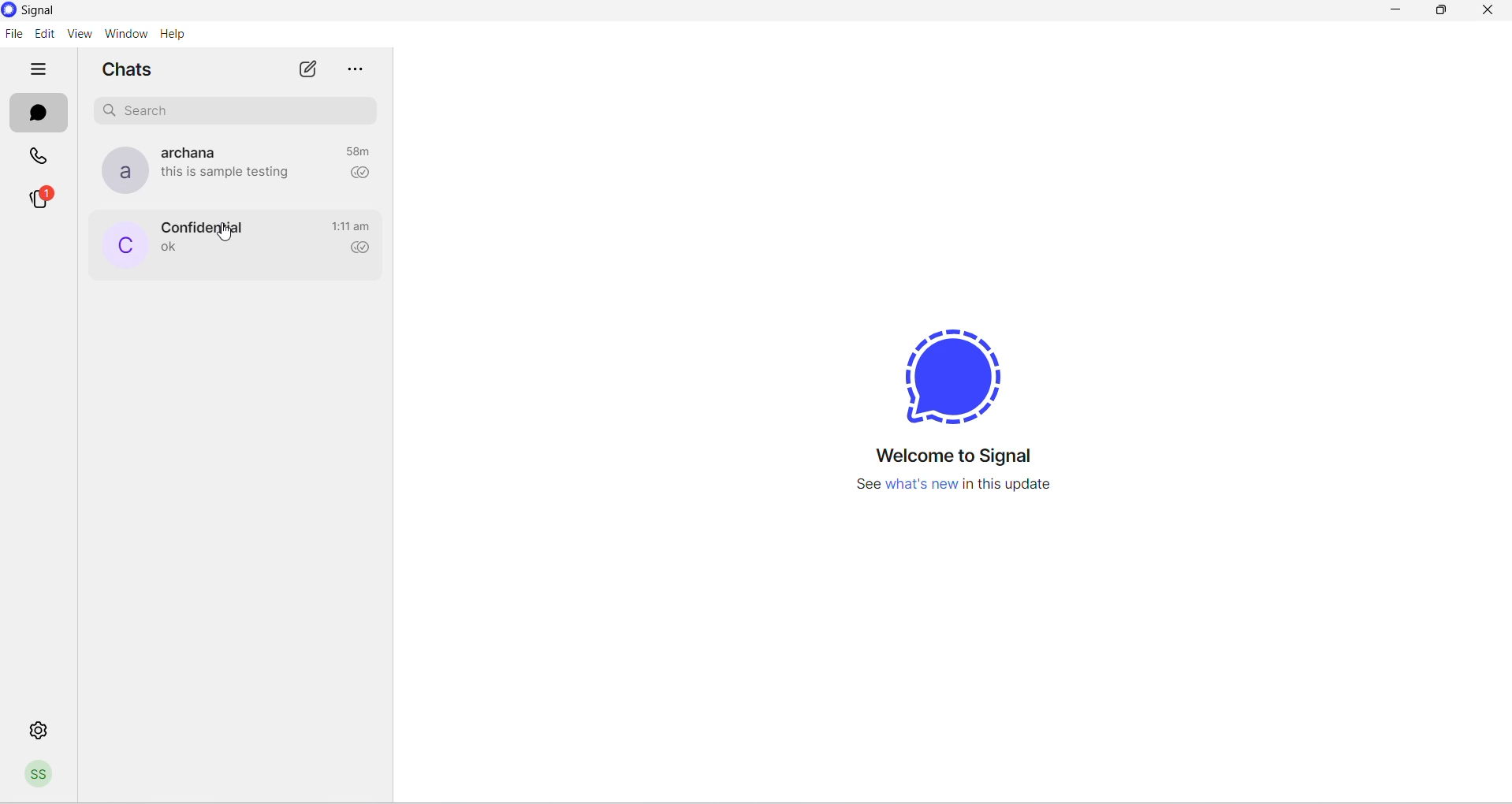 This screenshot has width=1512, height=804. Describe the element at coordinates (120, 171) in the screenshot. I see `profile picture` at that location.